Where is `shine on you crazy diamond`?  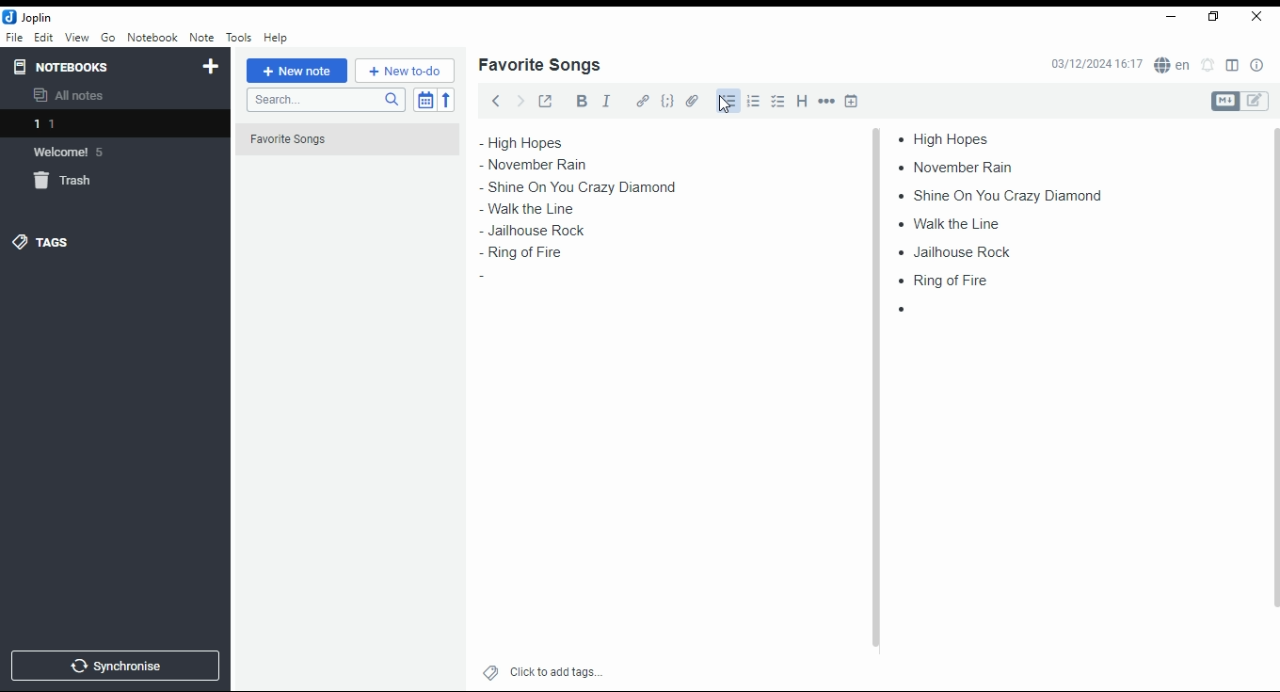
shine on you crazy diamond is located at coordinates (993, 194).